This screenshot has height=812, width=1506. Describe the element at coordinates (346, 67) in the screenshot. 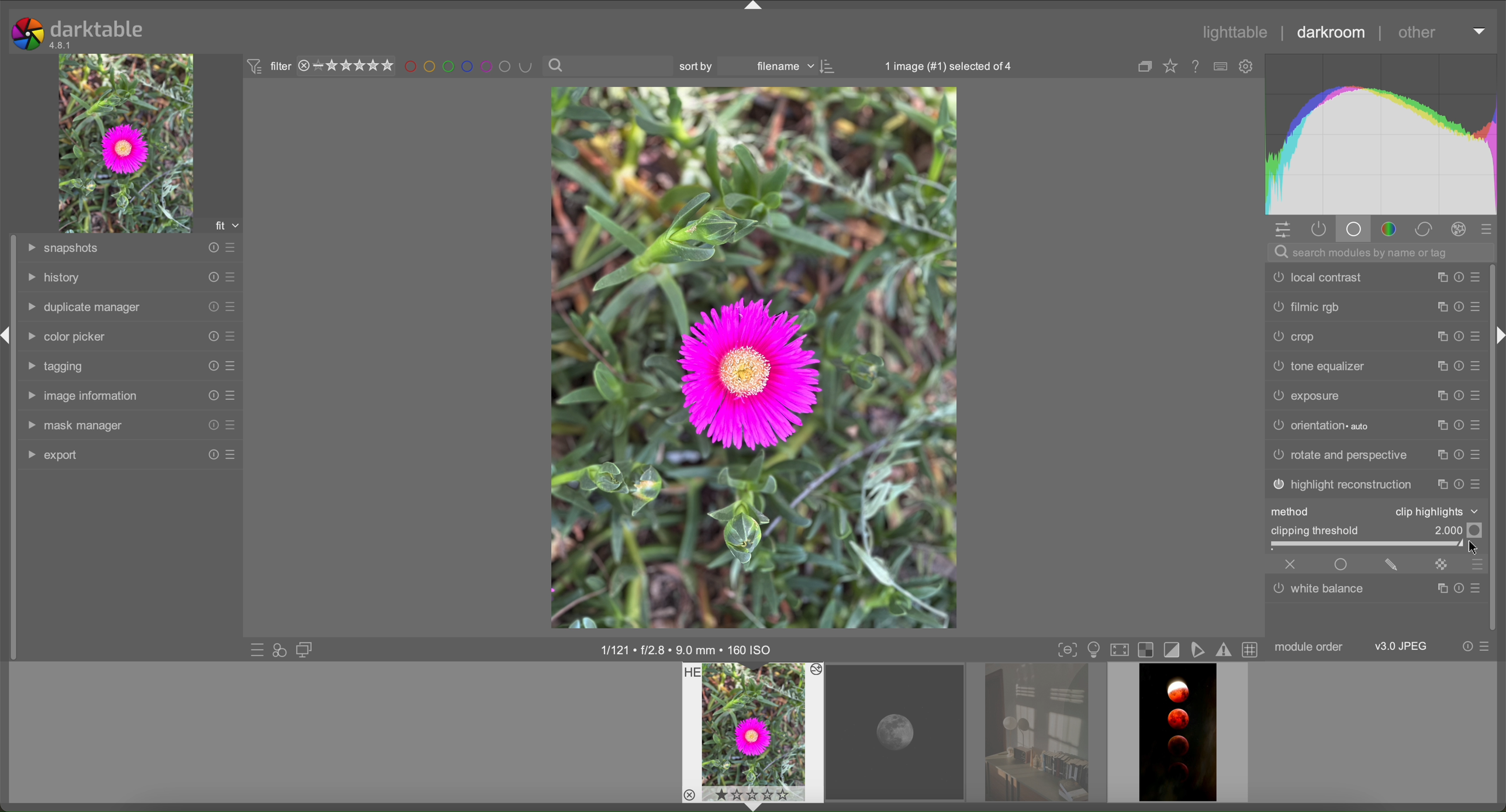

I see `rating` at that location.